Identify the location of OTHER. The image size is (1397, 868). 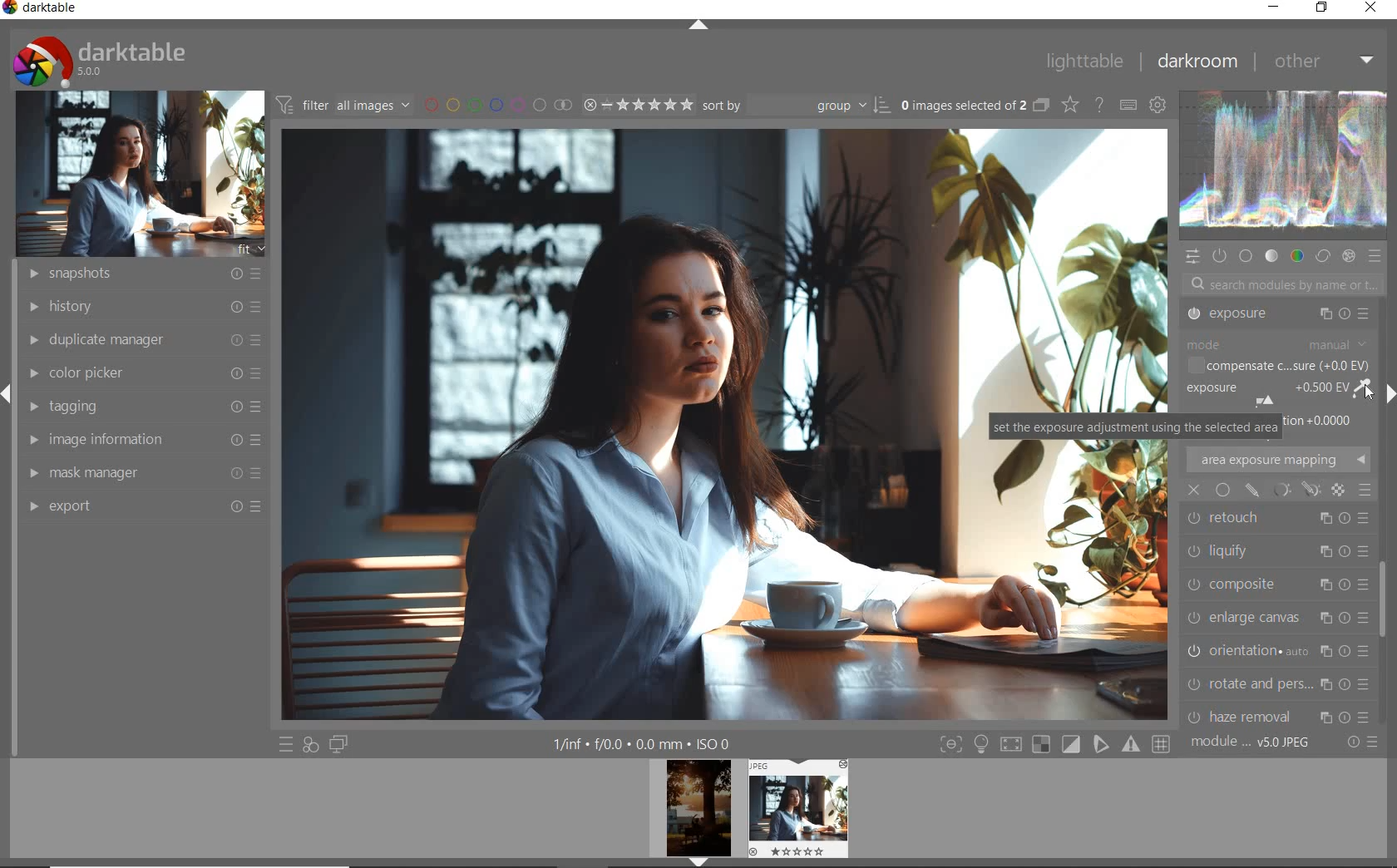
(1325, 64).